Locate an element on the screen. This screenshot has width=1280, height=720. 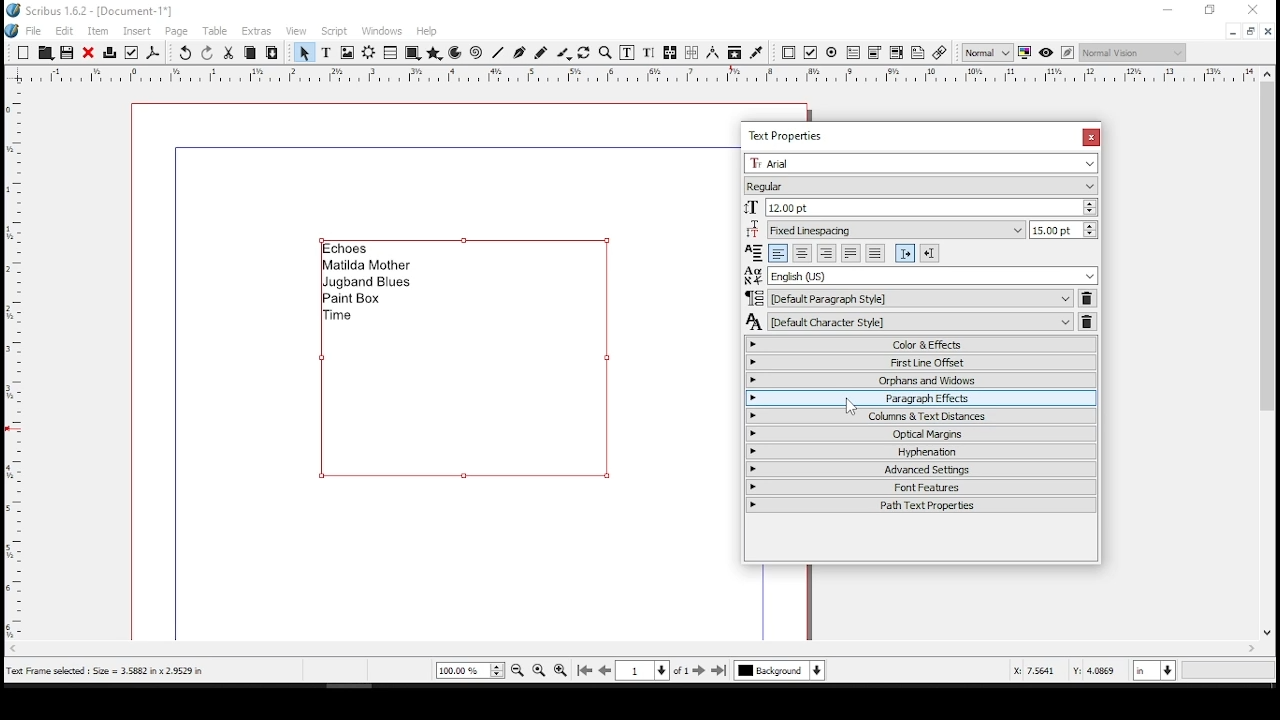
character style is located at coordinates (909, 322).